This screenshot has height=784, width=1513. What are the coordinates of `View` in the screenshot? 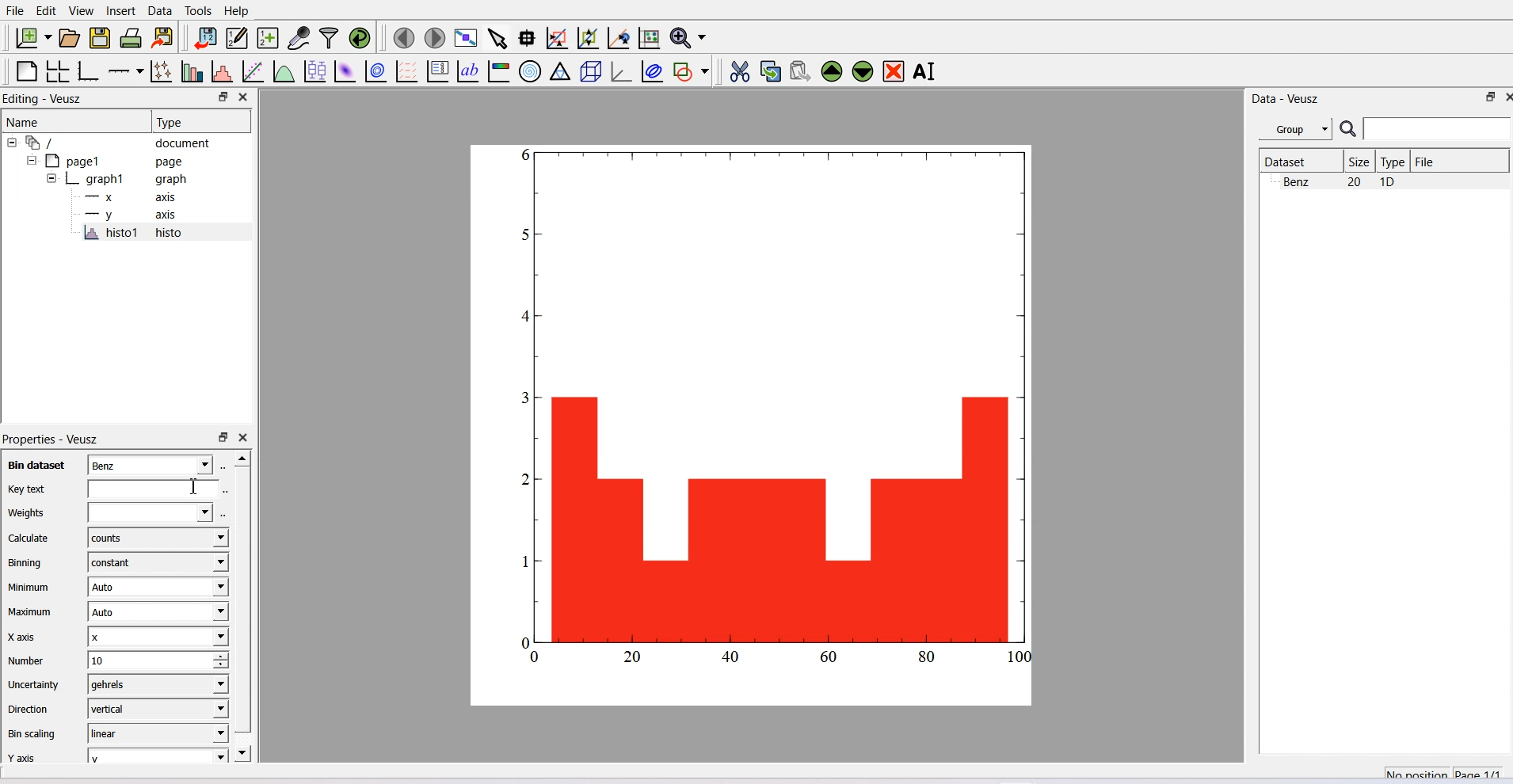 It's located at (82, 11).